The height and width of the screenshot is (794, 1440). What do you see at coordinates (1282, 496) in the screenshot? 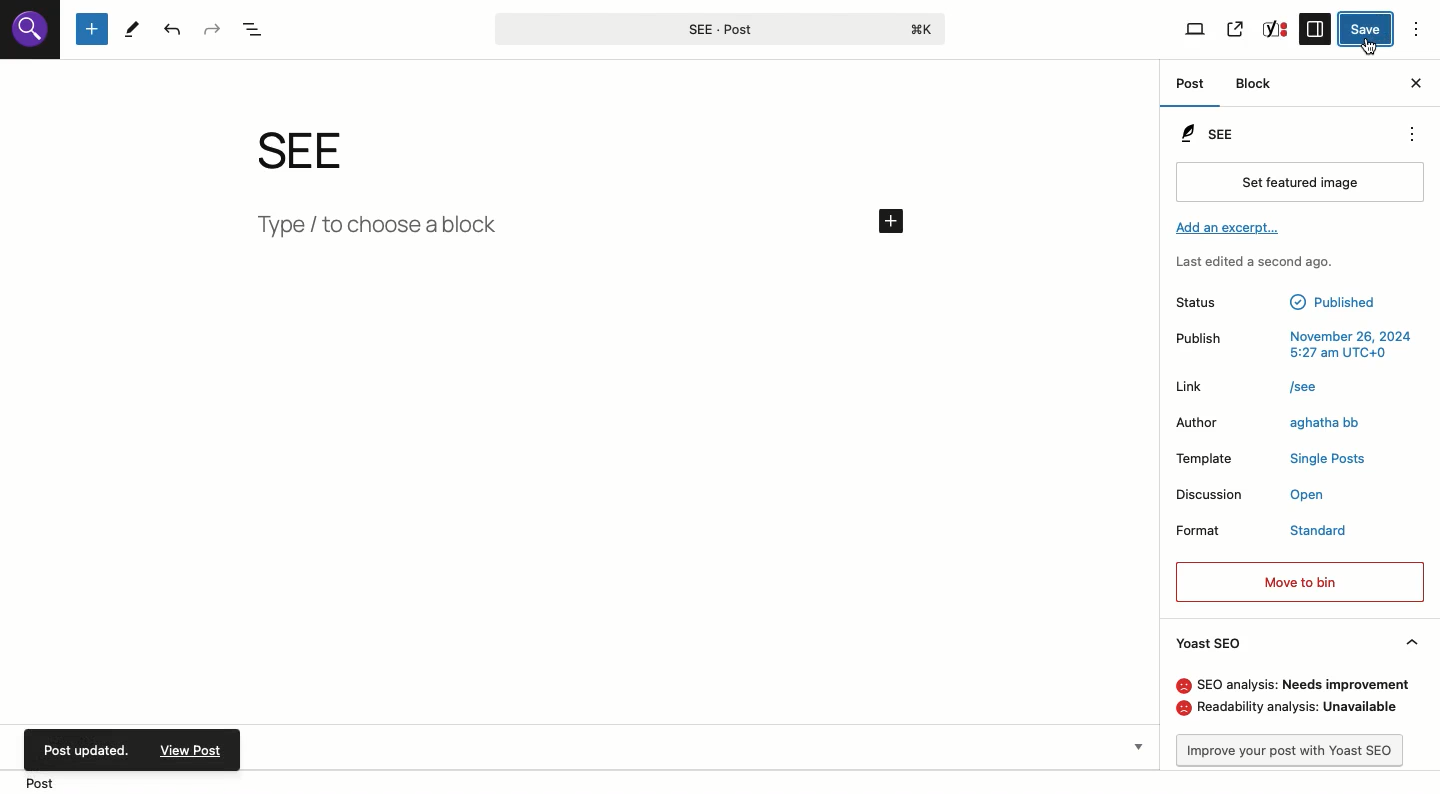
I see `Discussion open` at bounding box center [1282, 496].